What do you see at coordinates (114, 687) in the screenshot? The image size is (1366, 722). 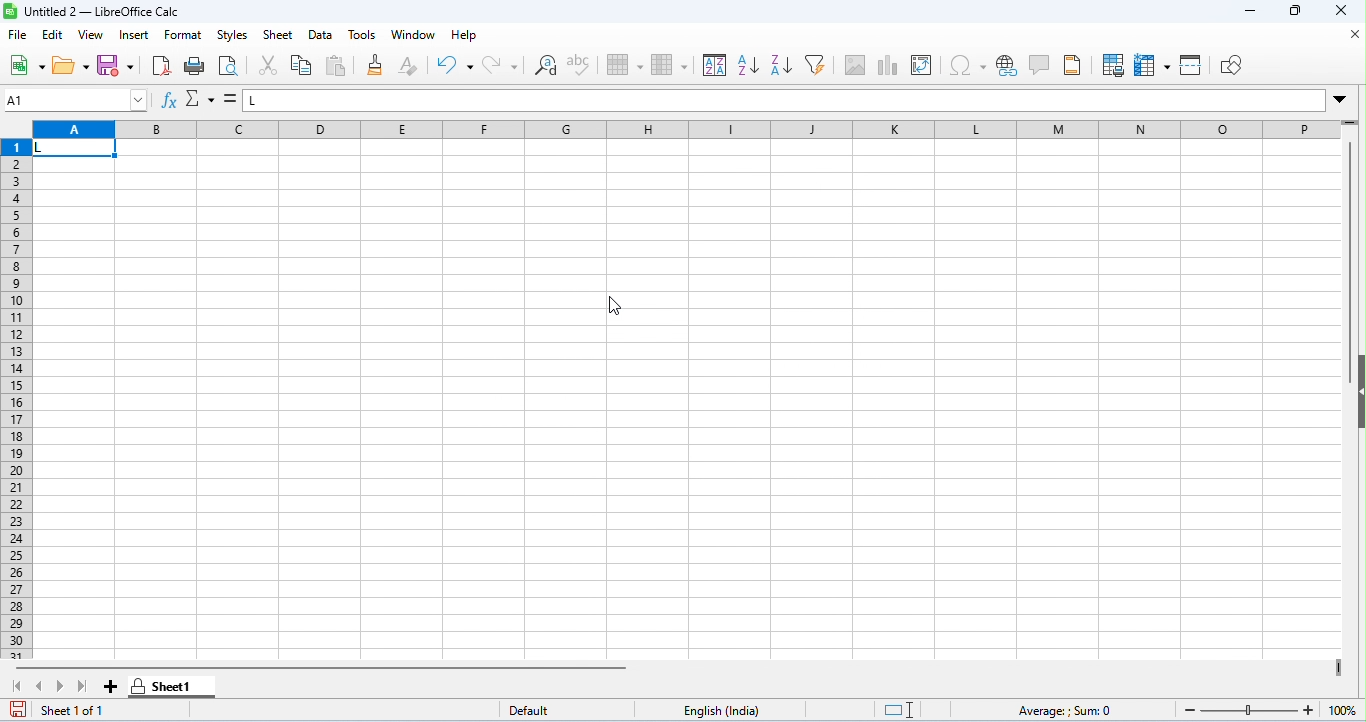 I see `add sheet` at bounding box center [114, 687].